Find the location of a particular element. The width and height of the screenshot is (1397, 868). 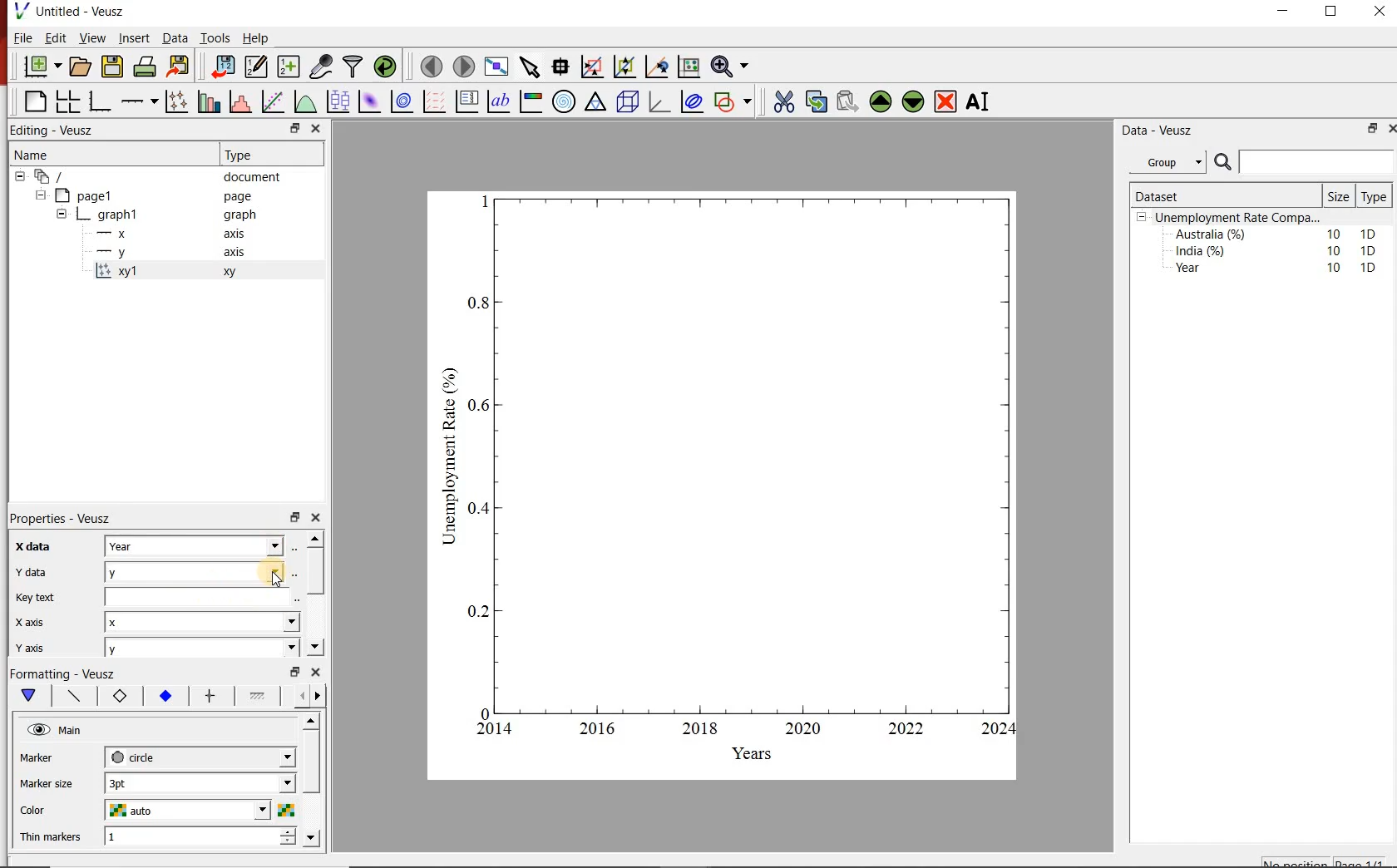

marker border is located at coordinates (119, 697).